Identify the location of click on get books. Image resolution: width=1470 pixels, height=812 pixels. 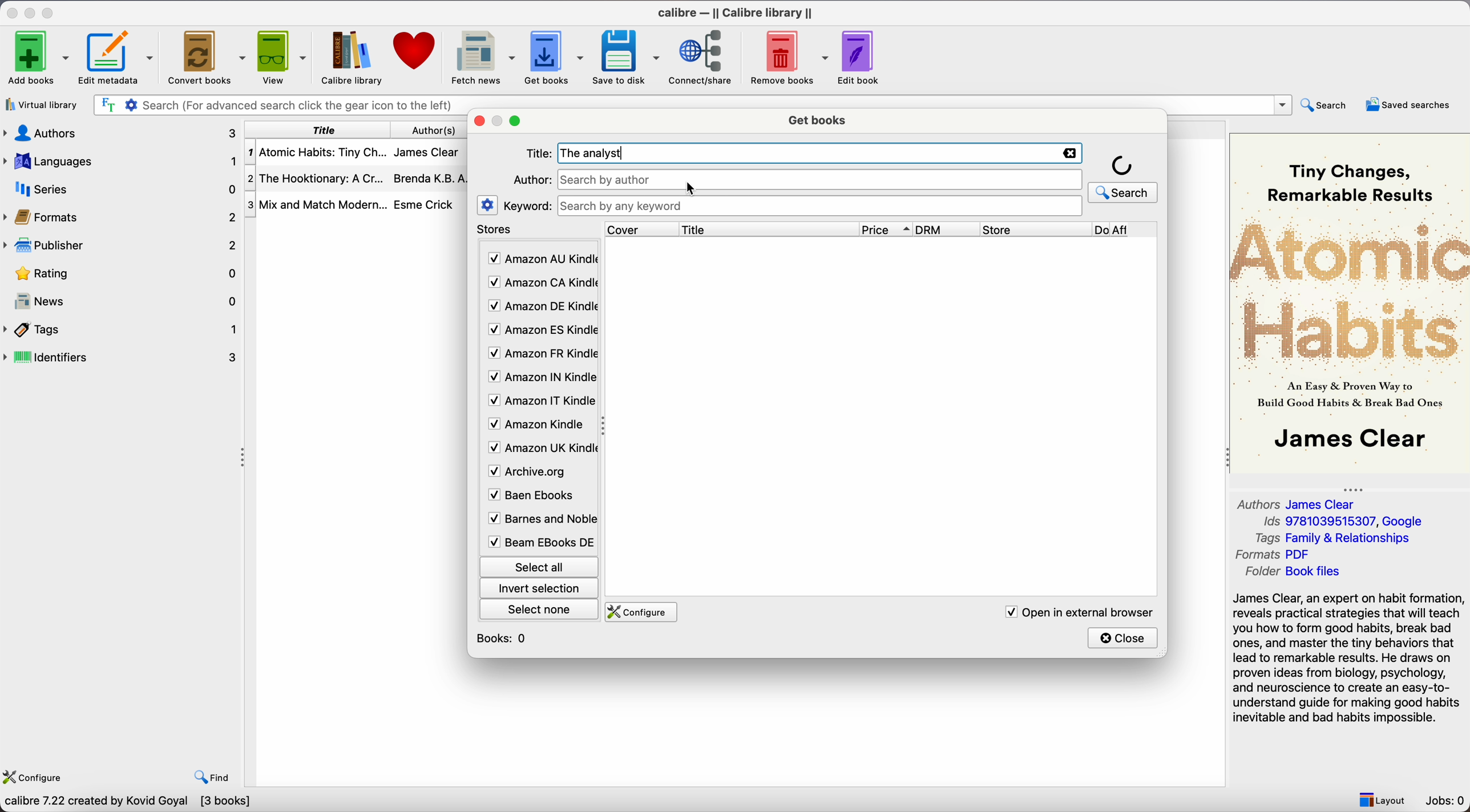
(551, 58).